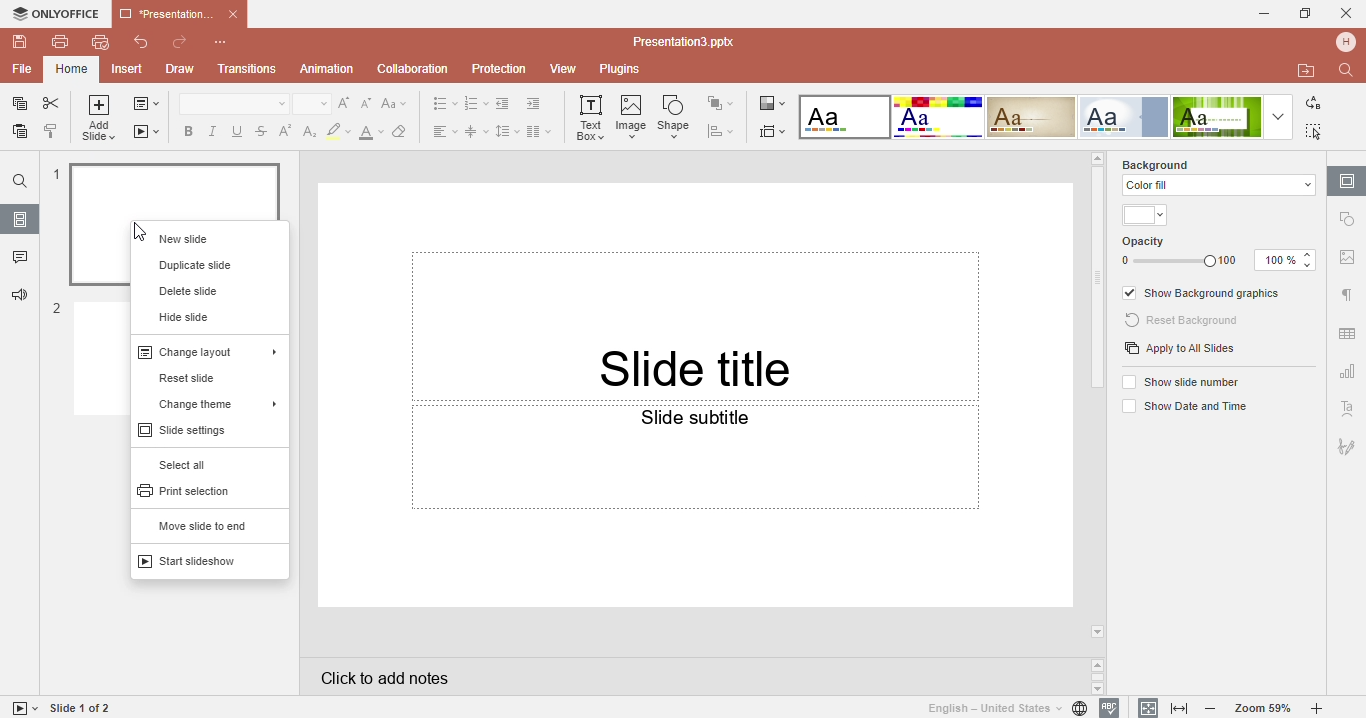 This screenshot has width=1366, height=718. Describe the element at coordinates (398, 103) in the screenshot. I see `Change case` at that location.